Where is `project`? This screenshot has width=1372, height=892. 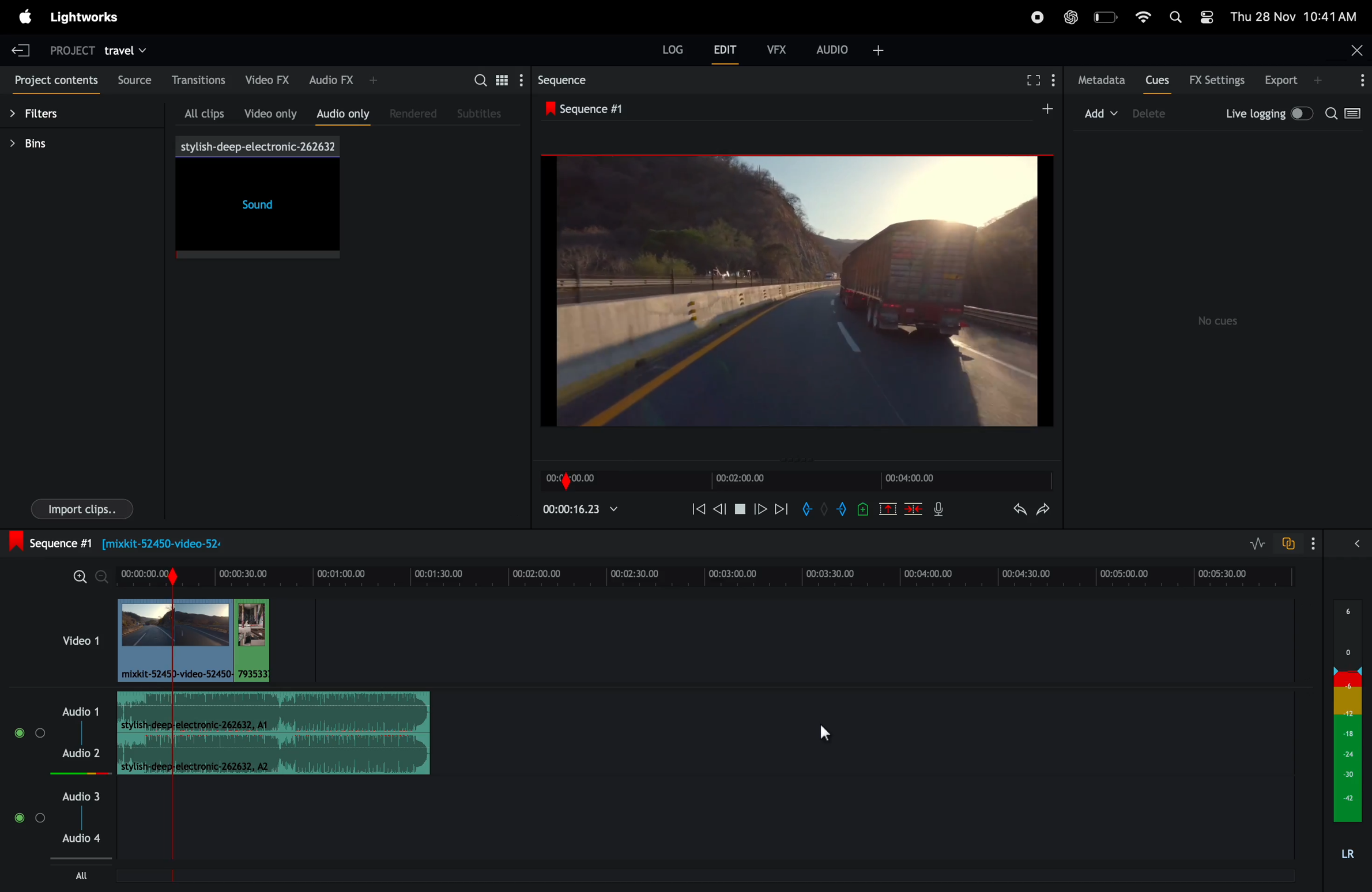
project is located at coordinates (71, 51).